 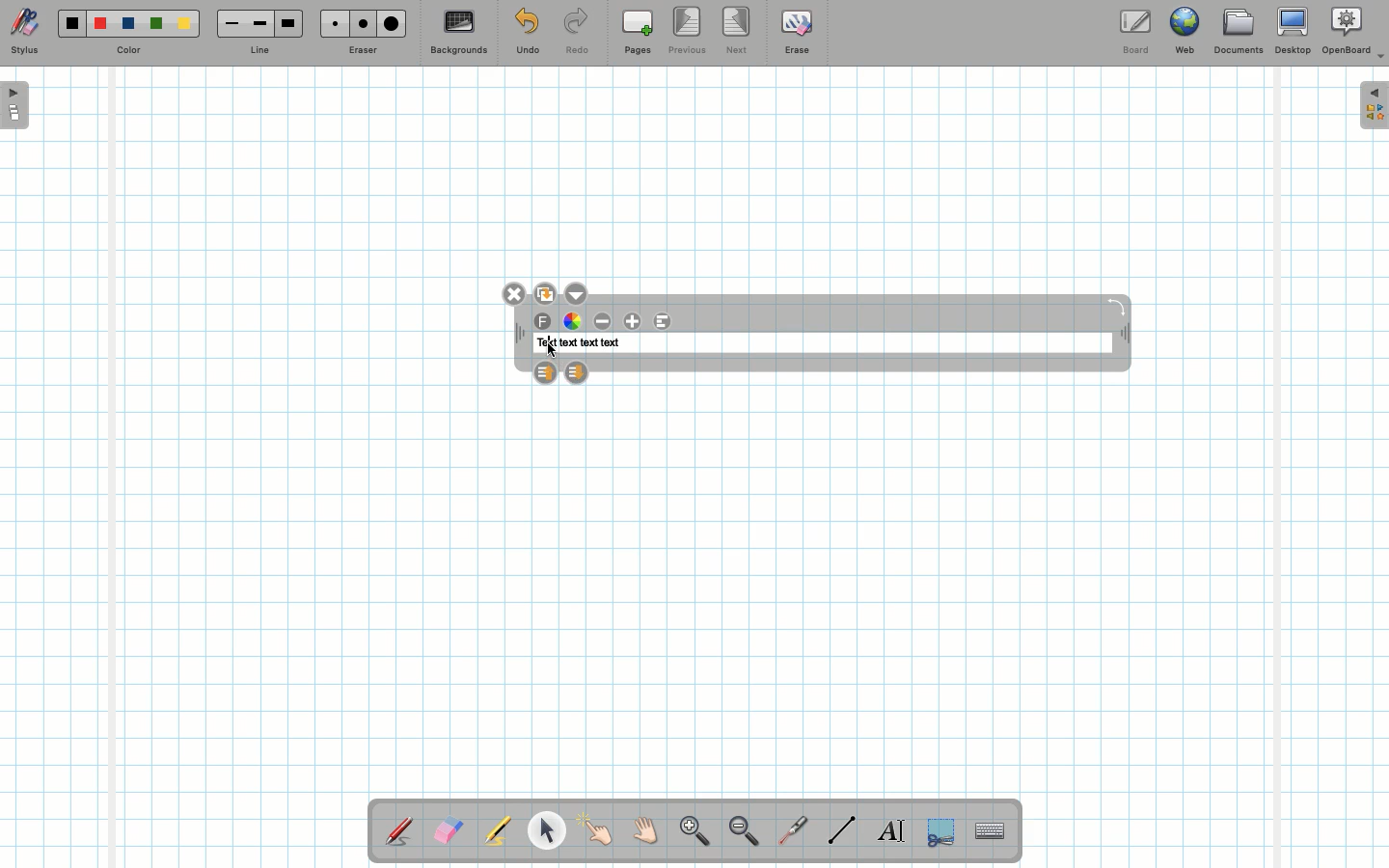 What do you see at coordinates (400, 830) in the screenshot?
I see `Stylus` at bounding box center [400, 830].